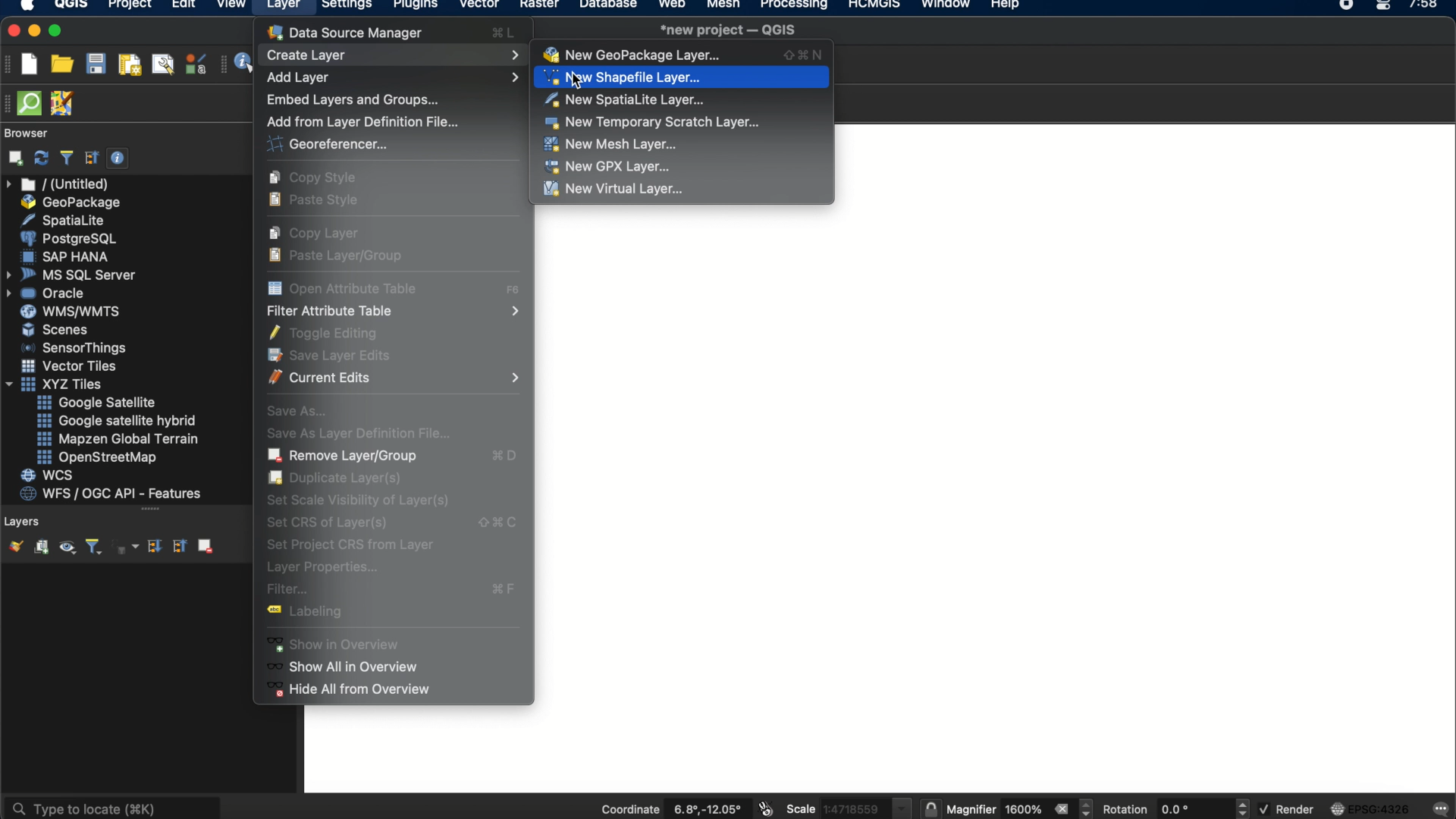 This screenshot has width=1456, height=819. Describe the element at coordinates (362, 545) in the screenshot. I see `set project crs from layer` at that location.